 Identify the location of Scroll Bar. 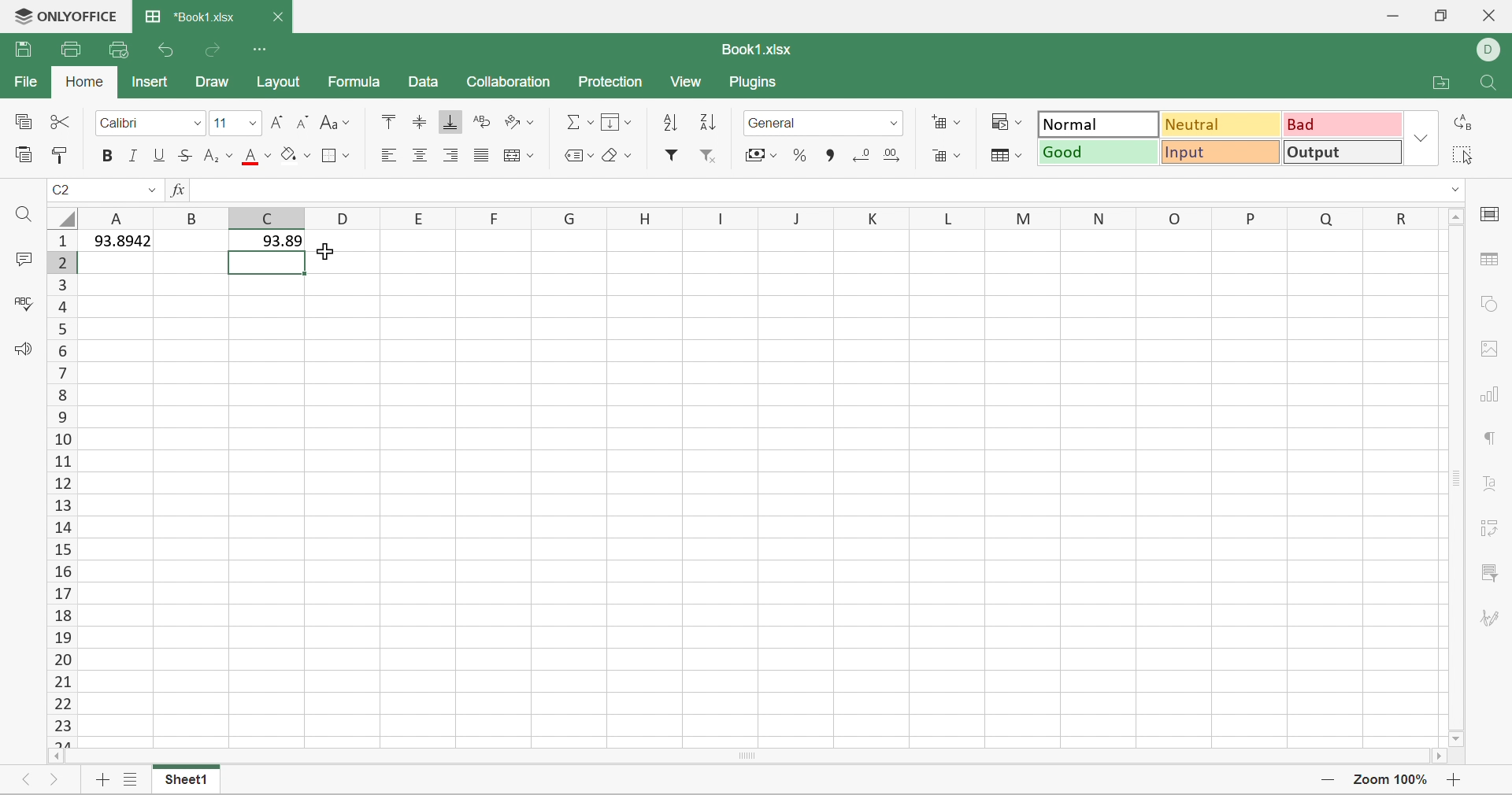
(744, 757).